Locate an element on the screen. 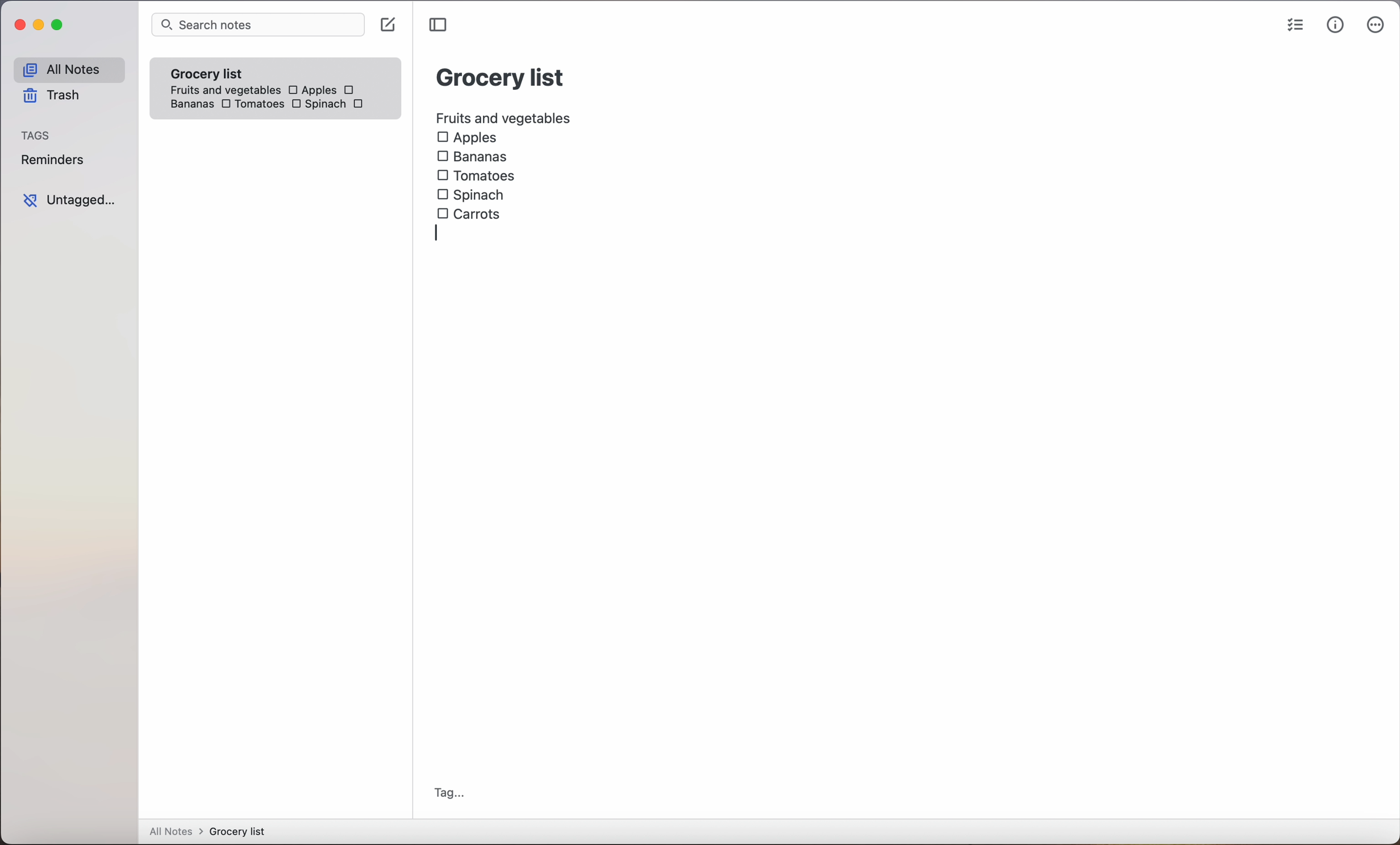  more options is located at coordinates (1376, 27).